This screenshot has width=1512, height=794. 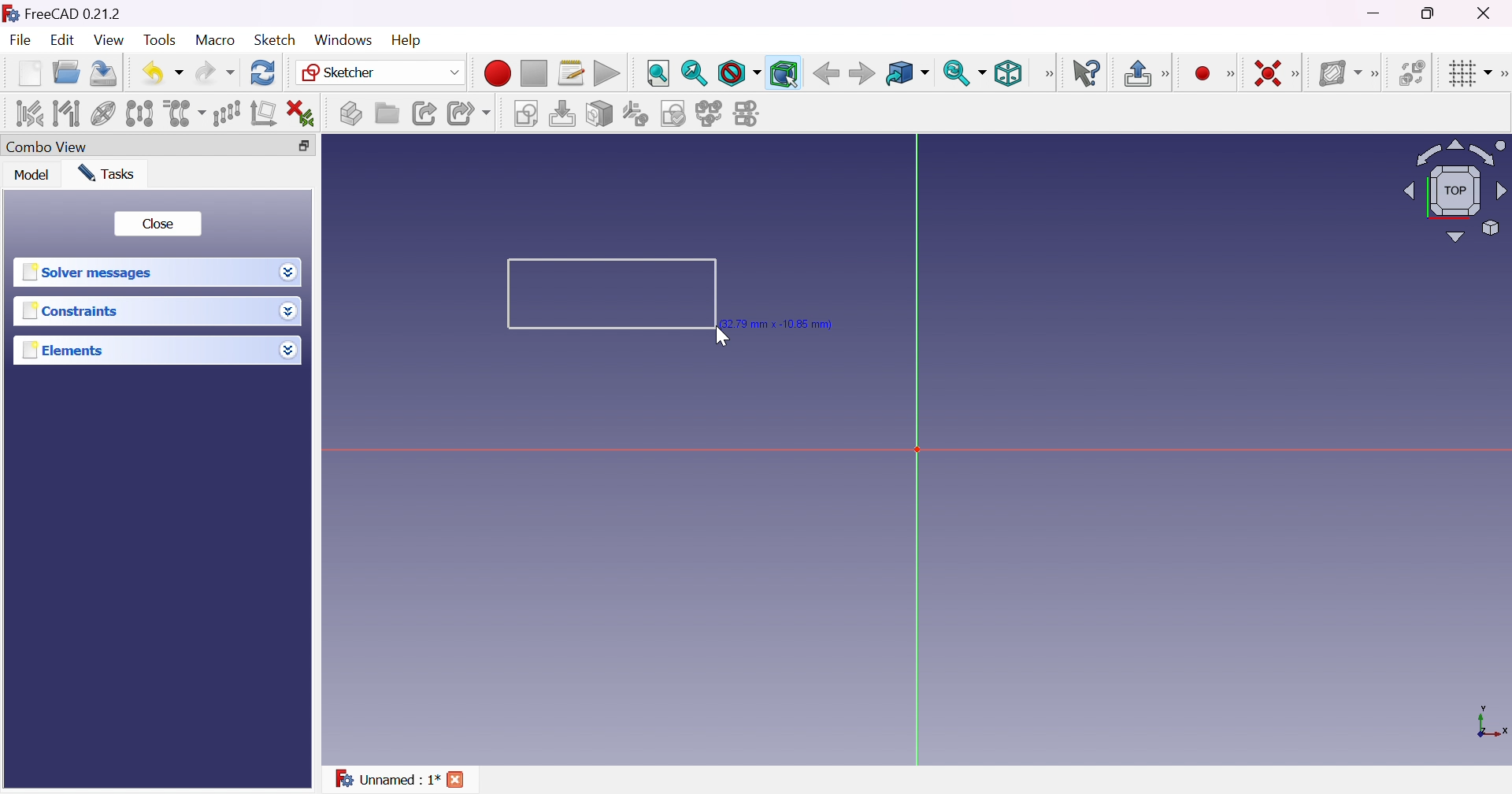 I want to click on Macro, so click(x=215, y=42).